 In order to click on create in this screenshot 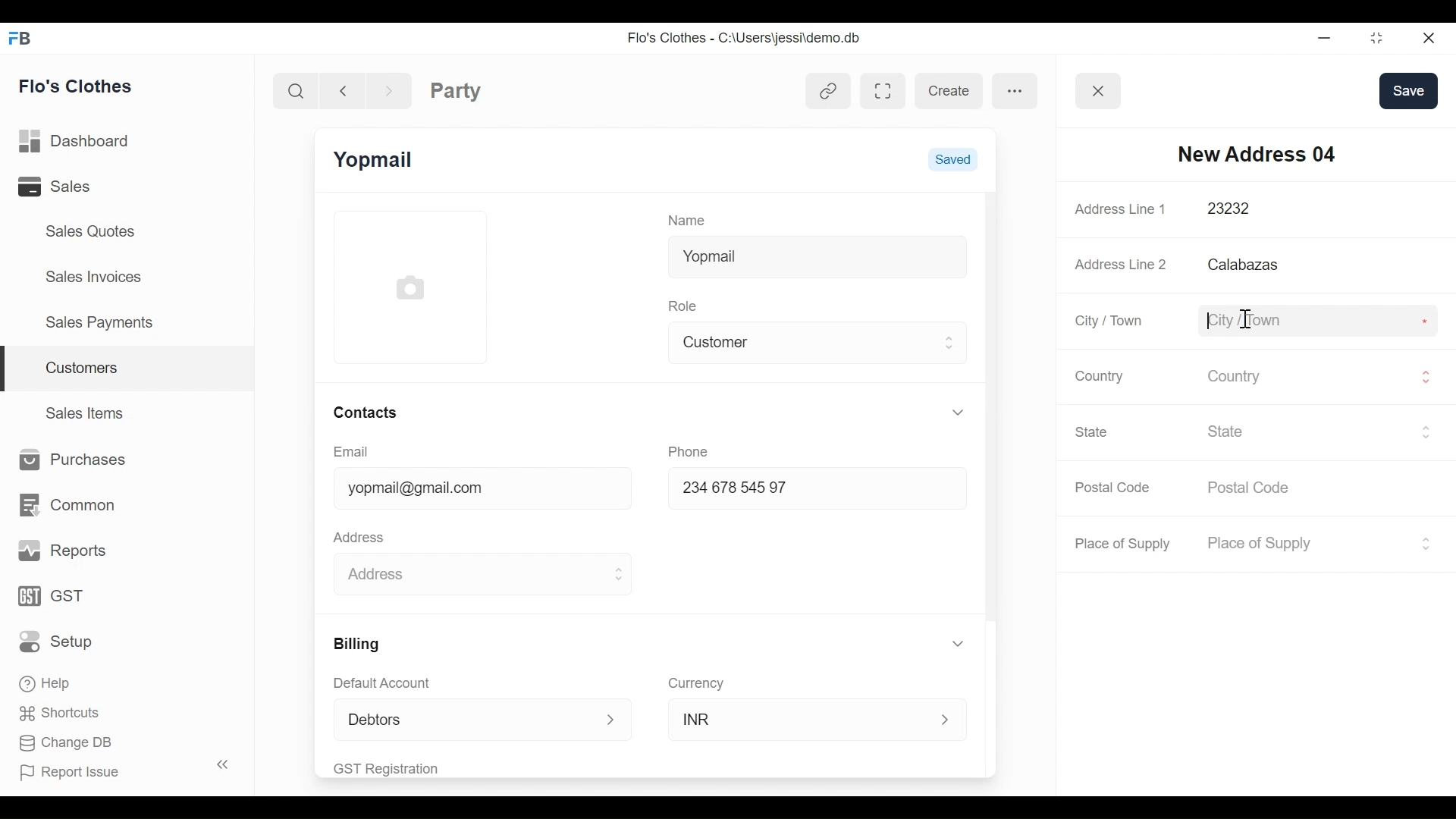, I will do `click(948, 91)`.